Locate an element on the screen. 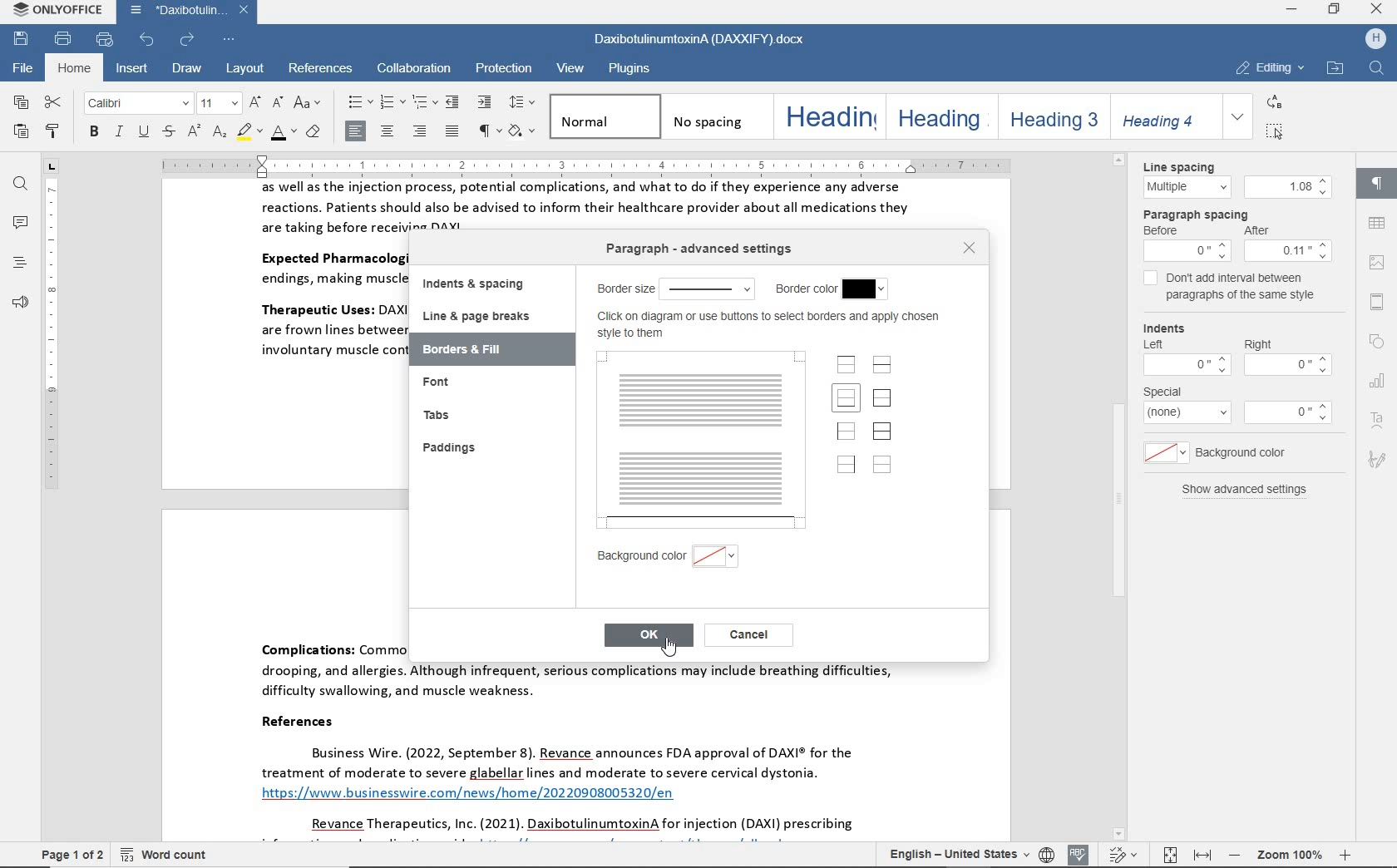 The image size is (1397, 868). no spacing is located at coordinates (713, 116).